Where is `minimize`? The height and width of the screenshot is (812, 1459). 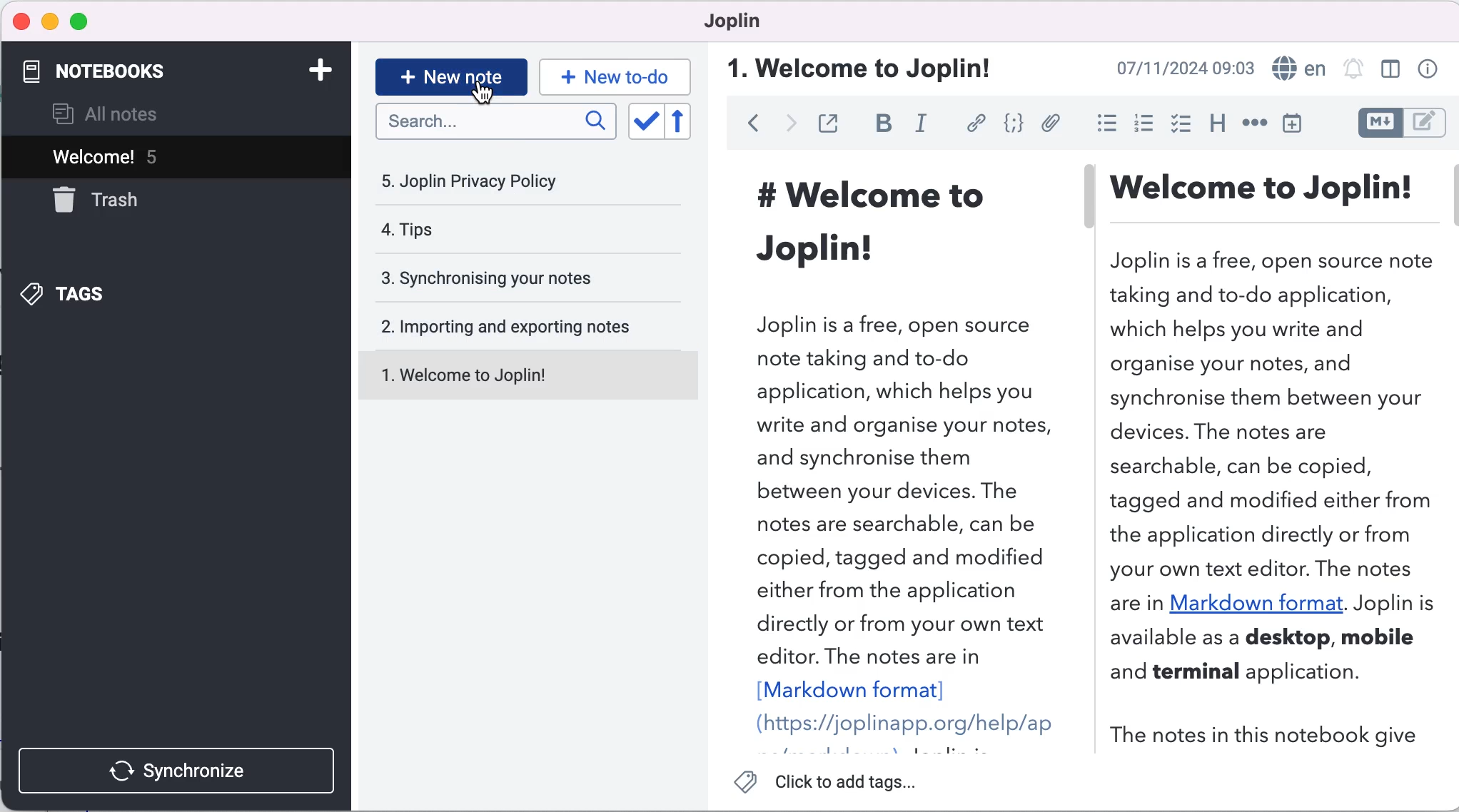 minimize is located at coordinates (49, 22).